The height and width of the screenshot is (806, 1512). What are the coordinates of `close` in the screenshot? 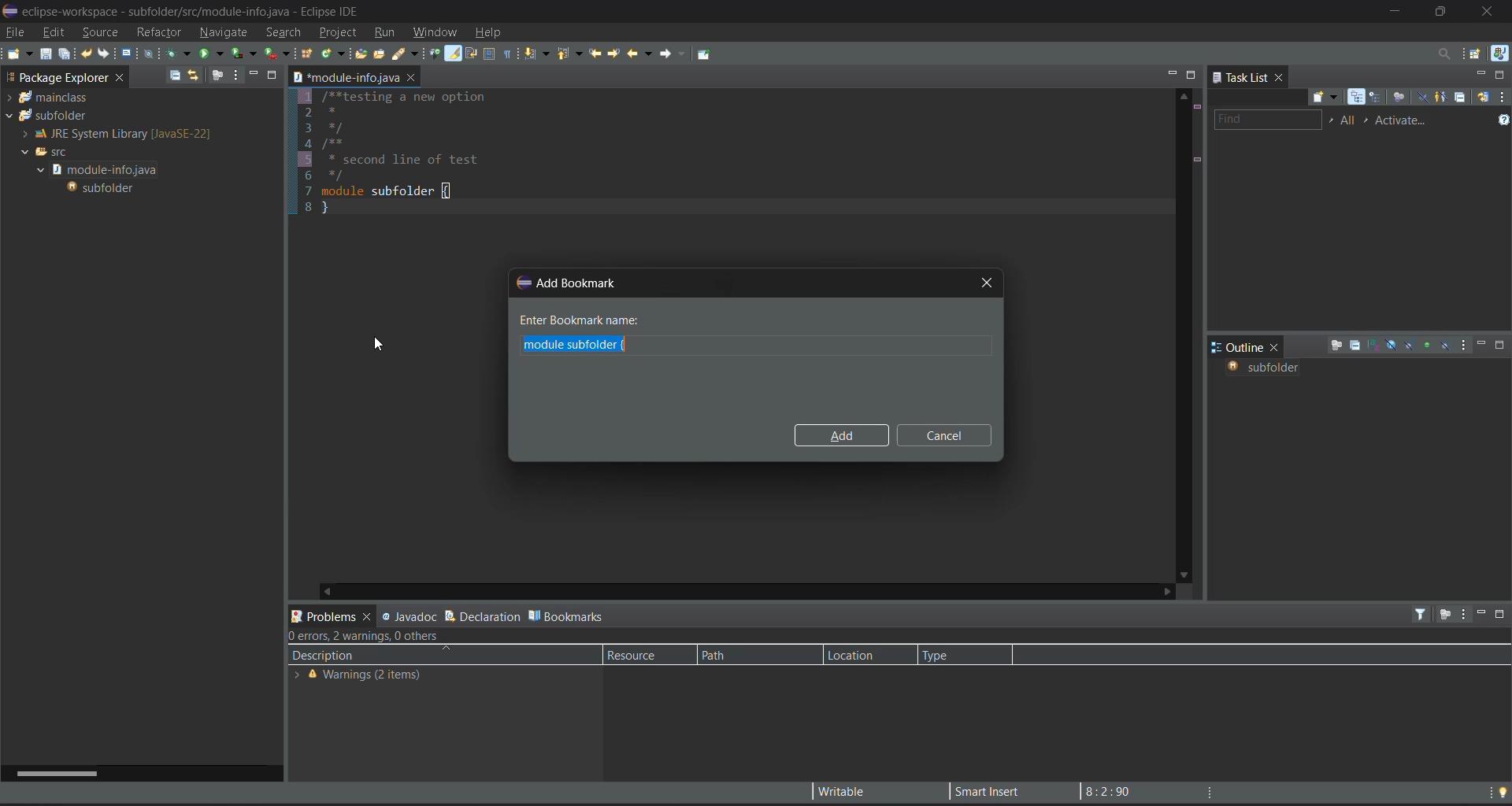 It's located at (421, 76).